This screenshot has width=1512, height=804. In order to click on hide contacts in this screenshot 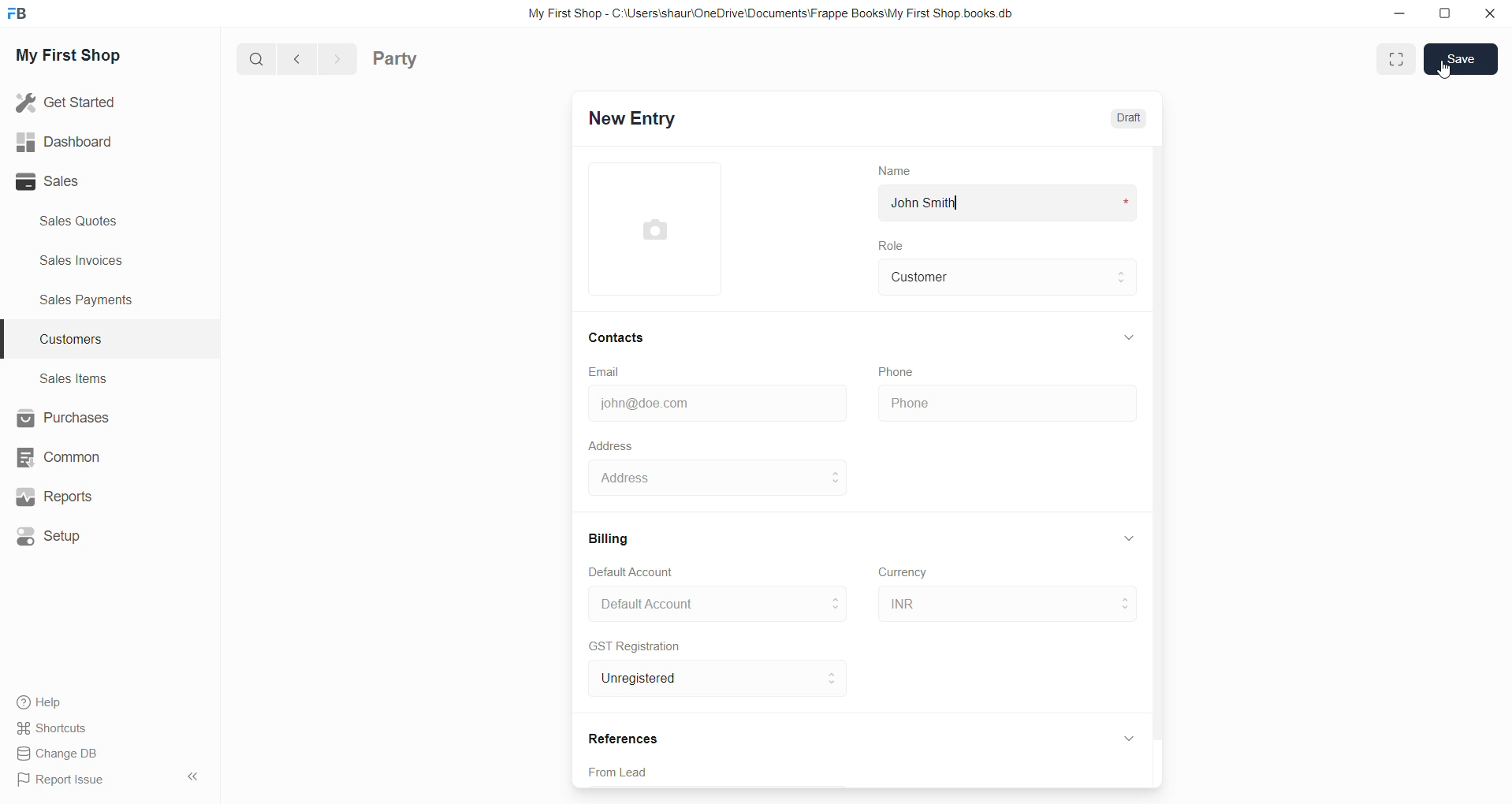, I will do `click(1131, 337)`.